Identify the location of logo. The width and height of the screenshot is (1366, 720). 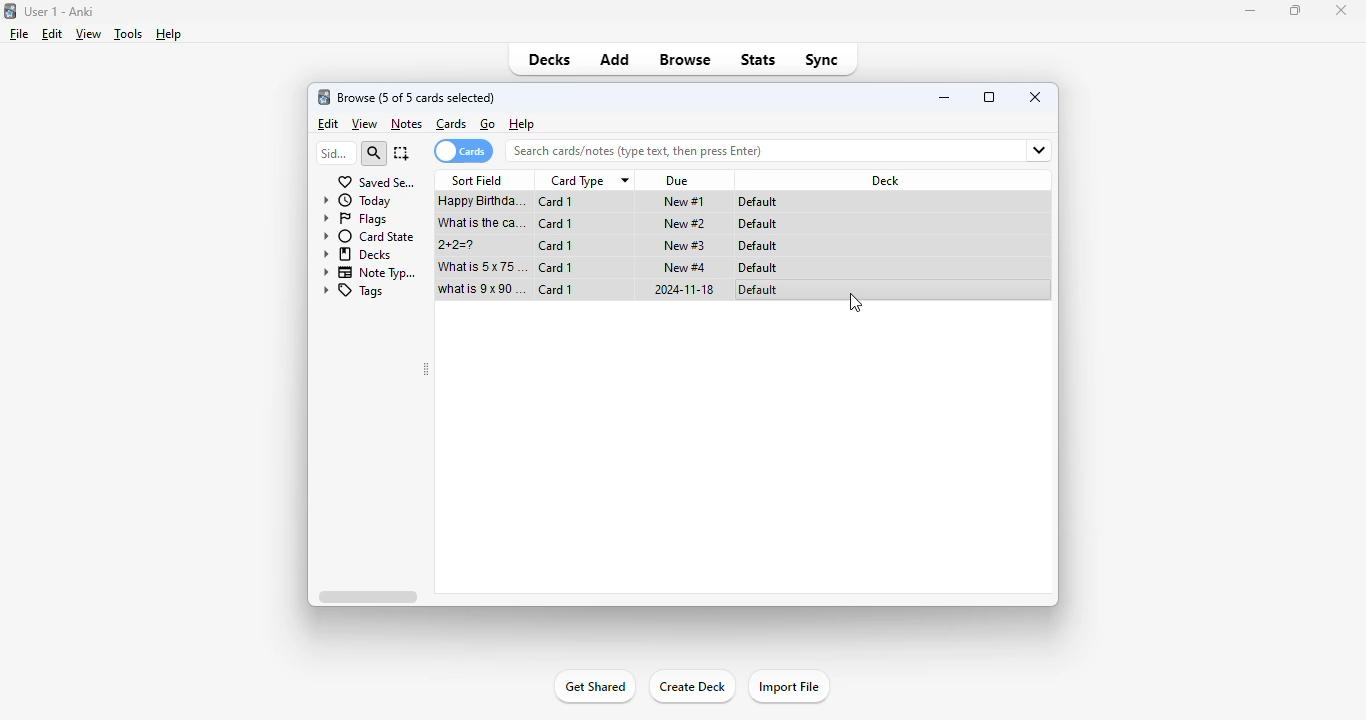
(323, 97).